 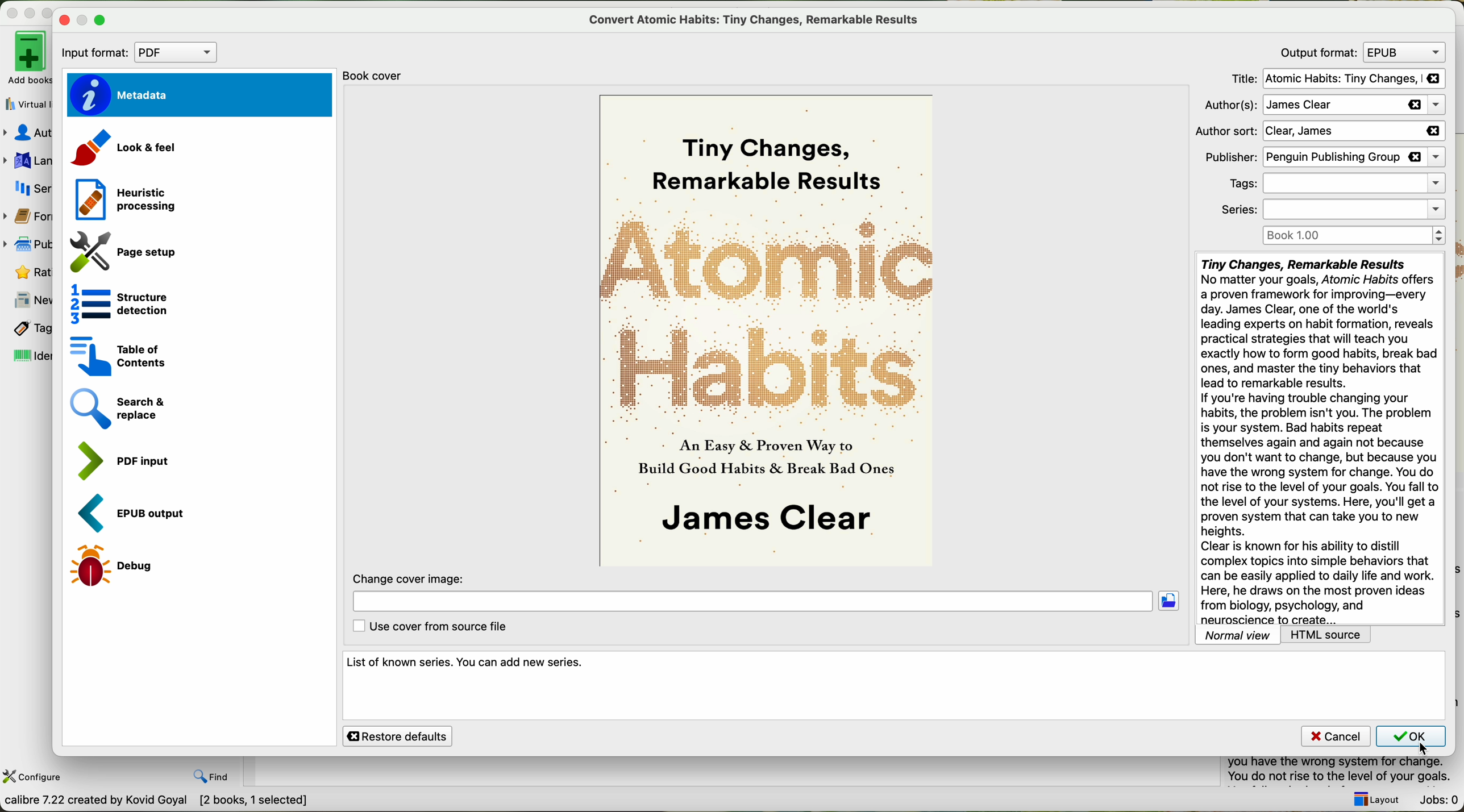 I want to click on disable minimize window, so click(x=84, y=20).